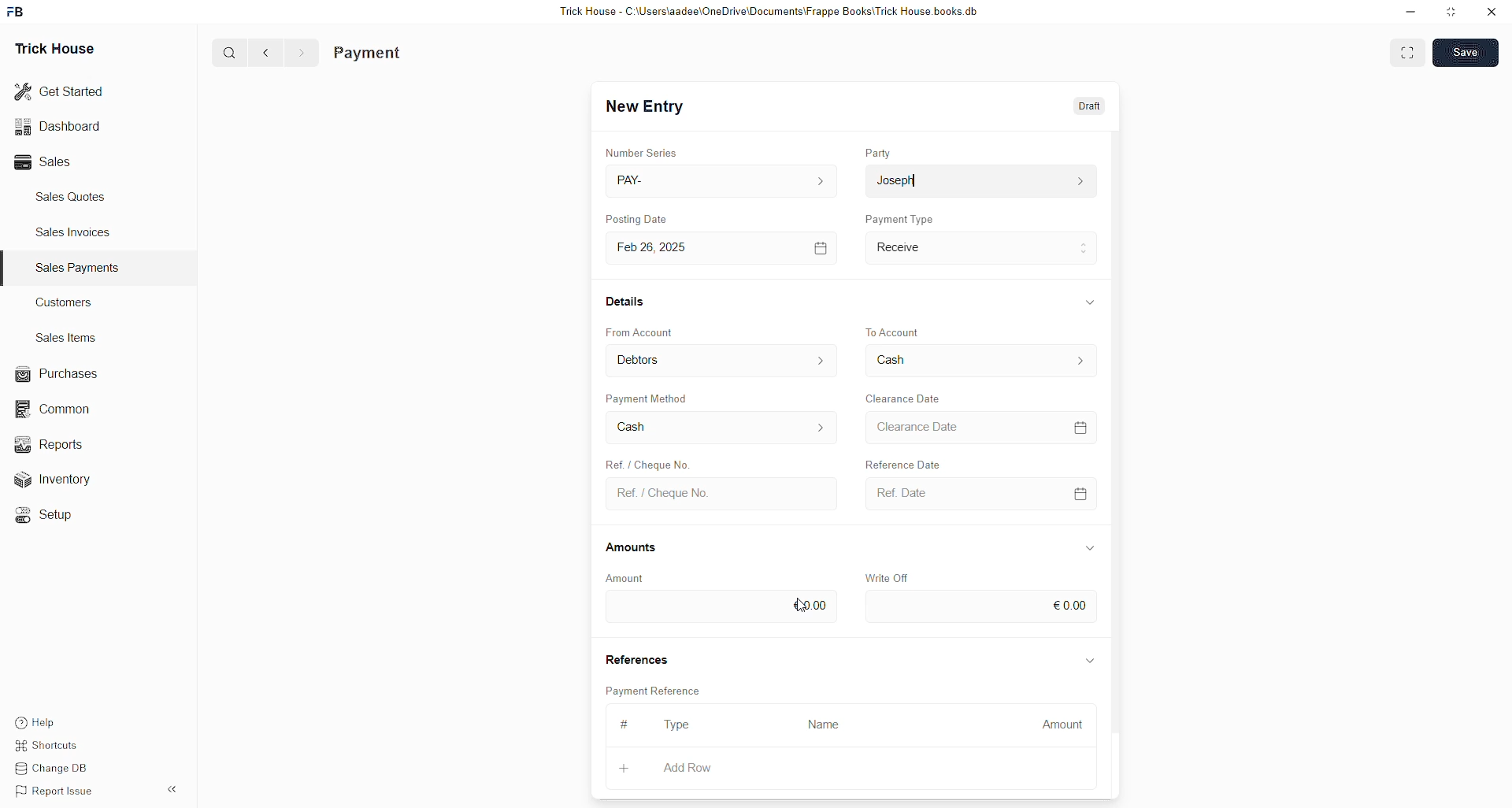  What do you see at coordinates (981, 427) in the screenshot?
I see `Clearance Date` at bounding box center [981, 427].